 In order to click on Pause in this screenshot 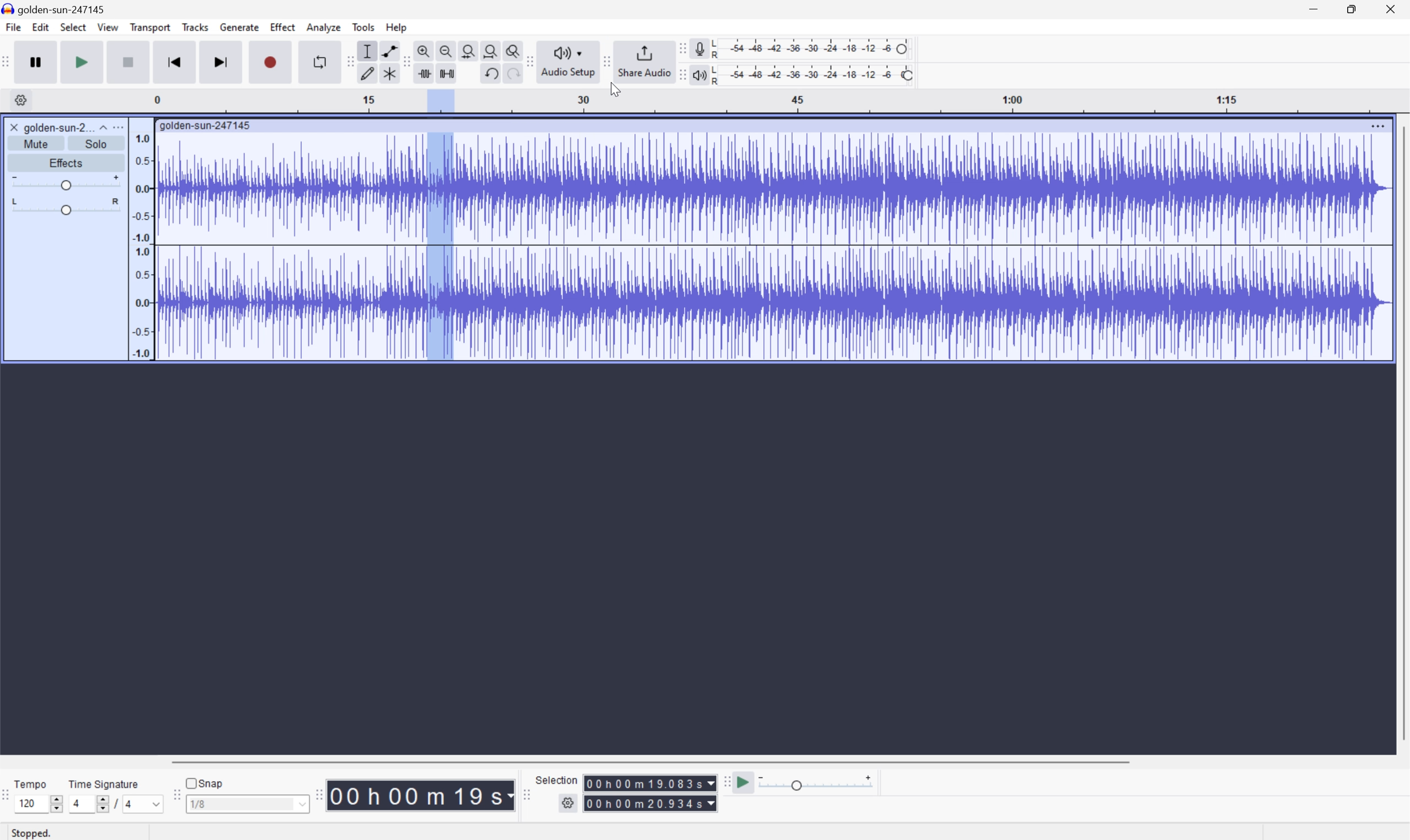, I will do `click(35, 62)`.